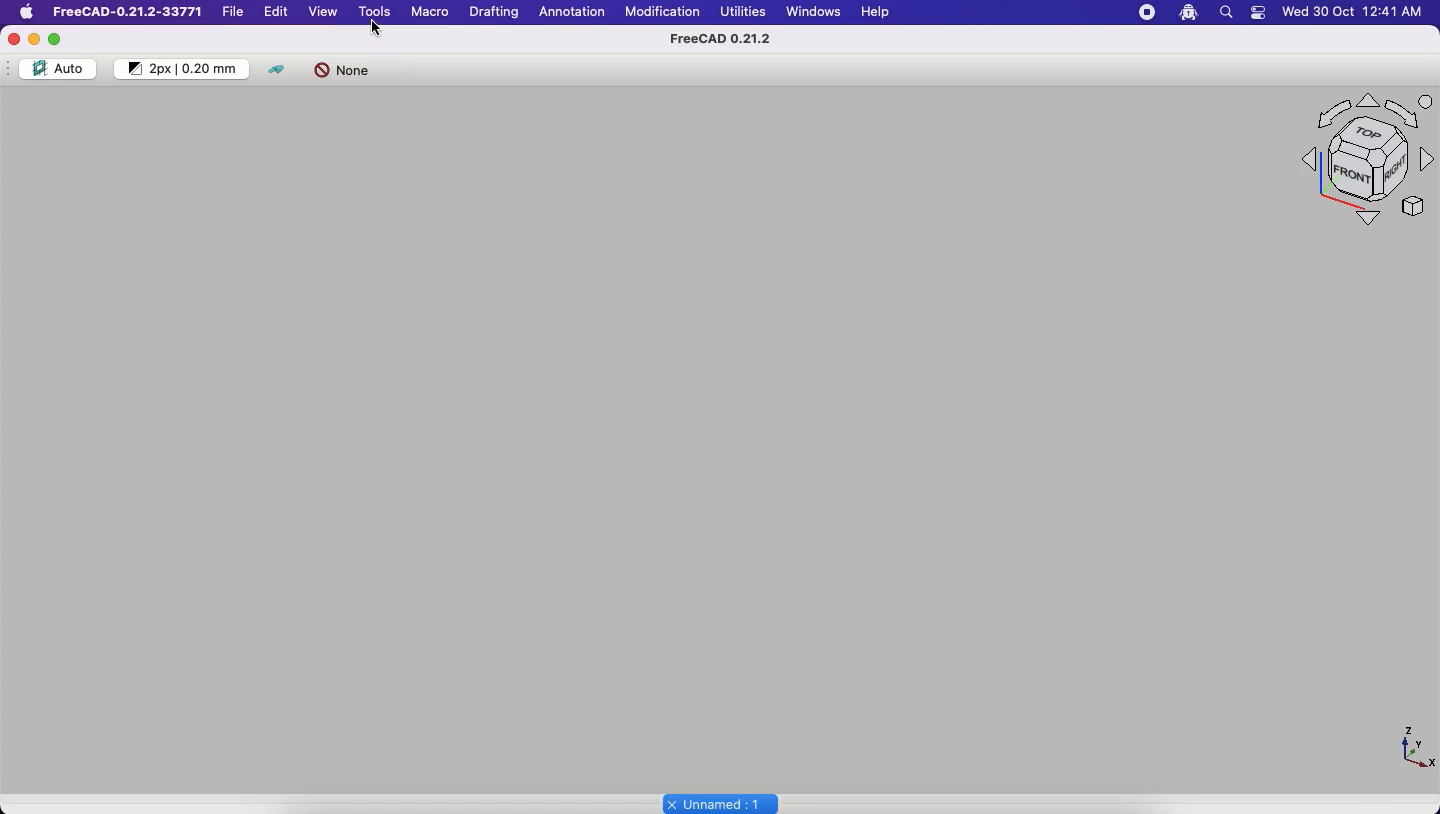 The image size is (1440, 814). Describe the element at coordinates (17, 39) in the screenshot. I see `Close` at that location.